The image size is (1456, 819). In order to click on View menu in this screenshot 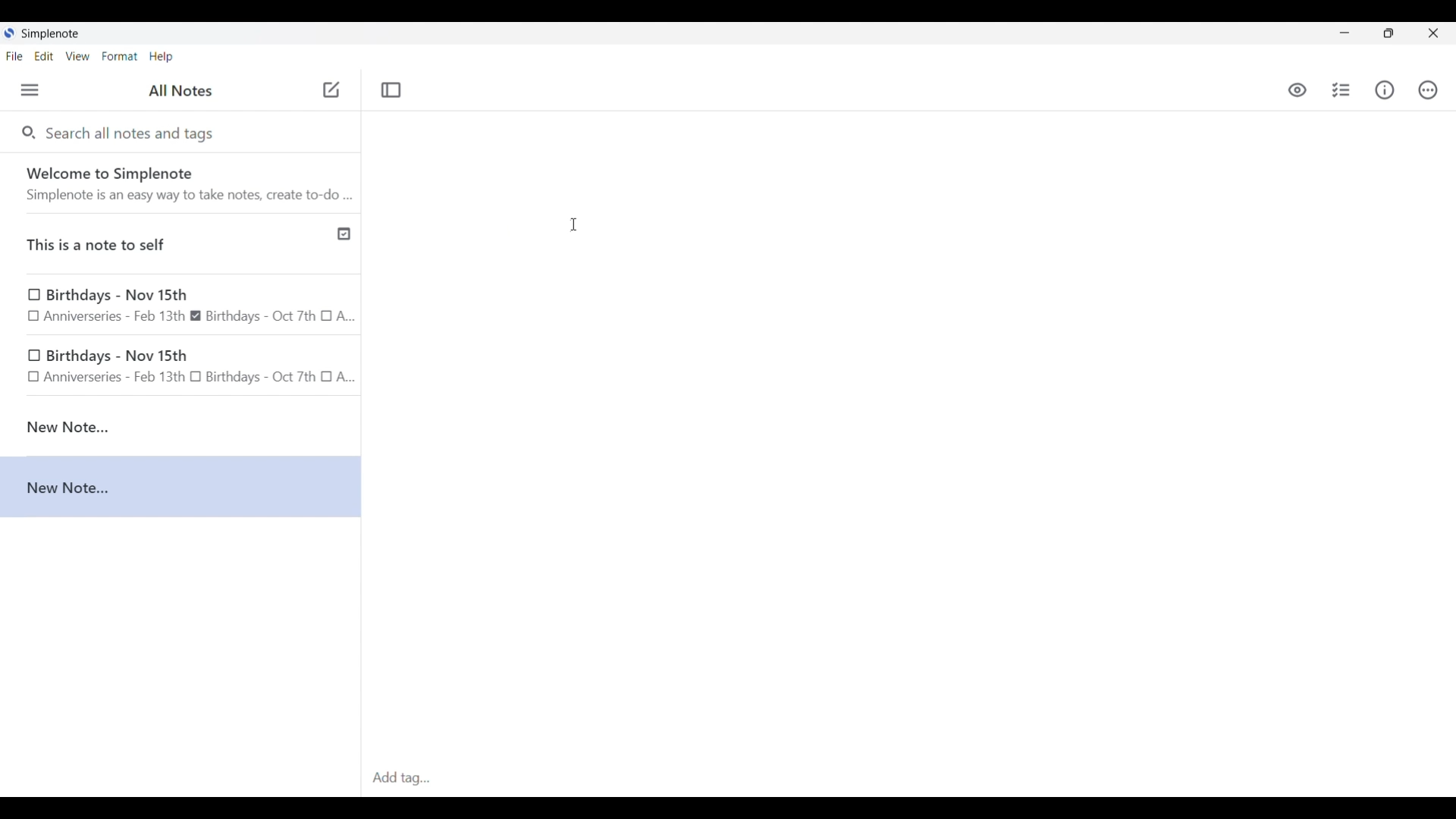, I will do `click(78, 55)`.